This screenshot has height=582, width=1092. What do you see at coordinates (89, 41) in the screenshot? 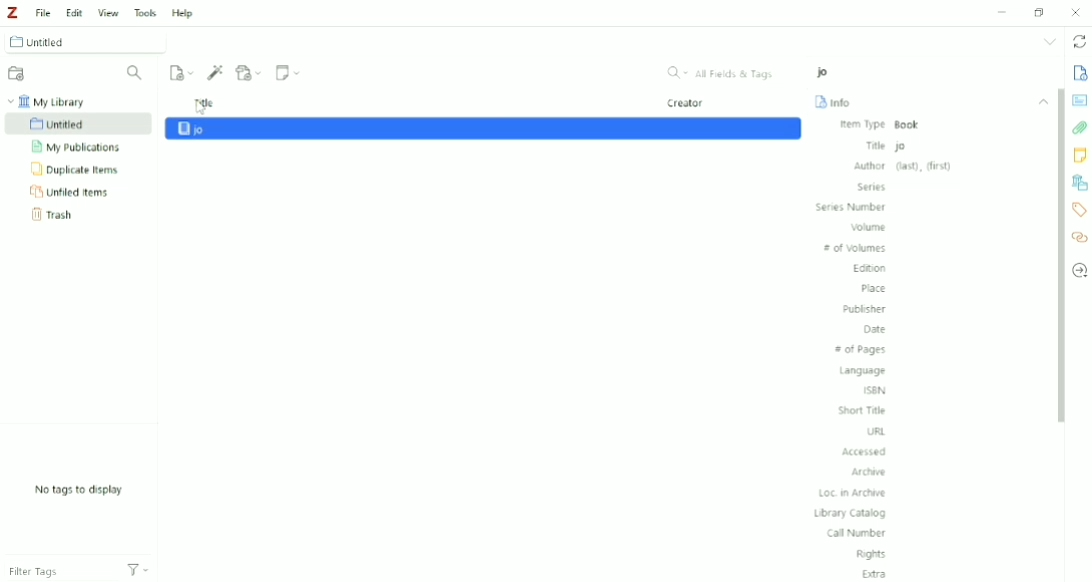
I see `Untitled` at bounding box center [89, 41].